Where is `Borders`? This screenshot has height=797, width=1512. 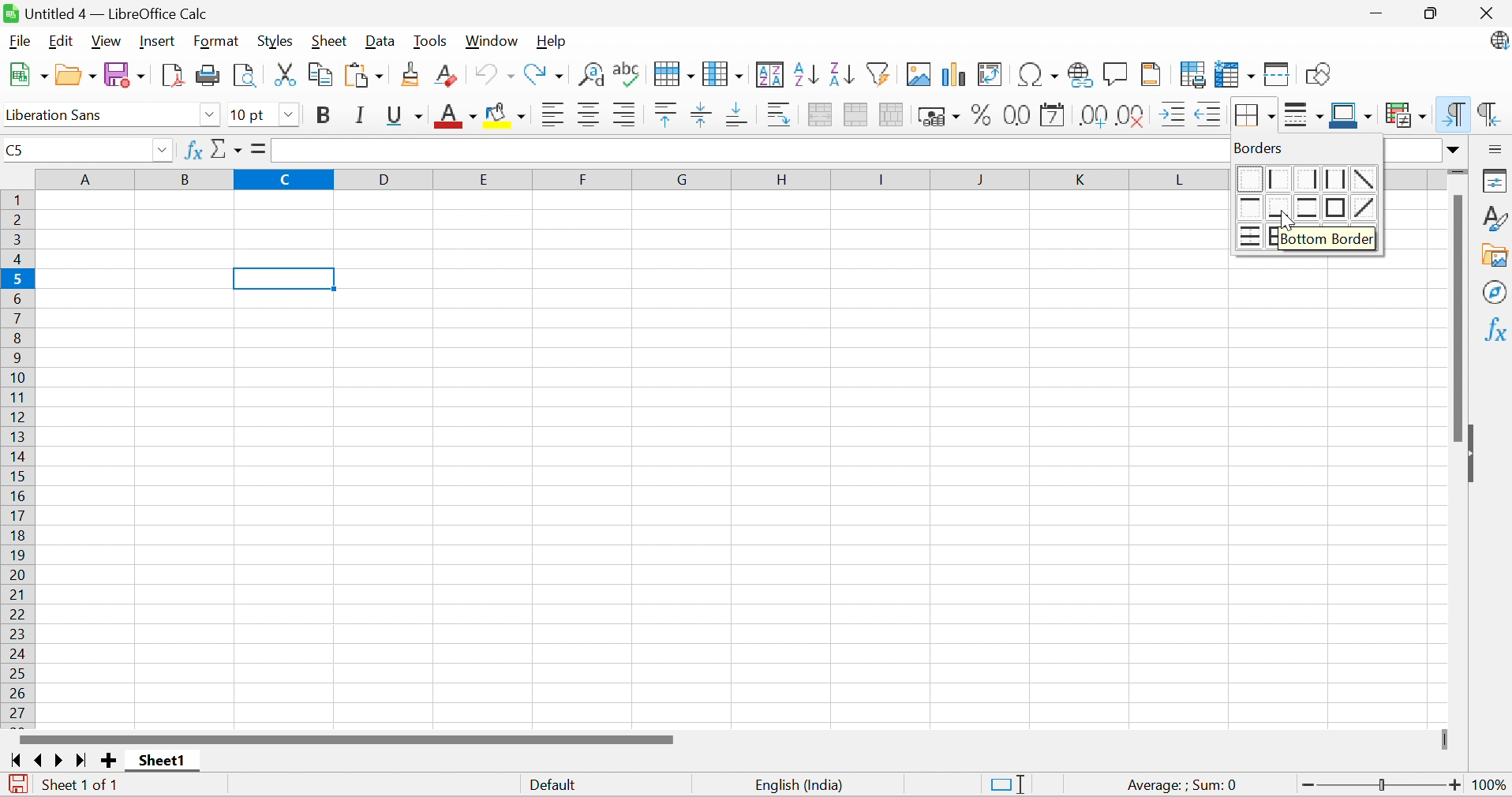 Borders is located at coordinates (1259, 146).